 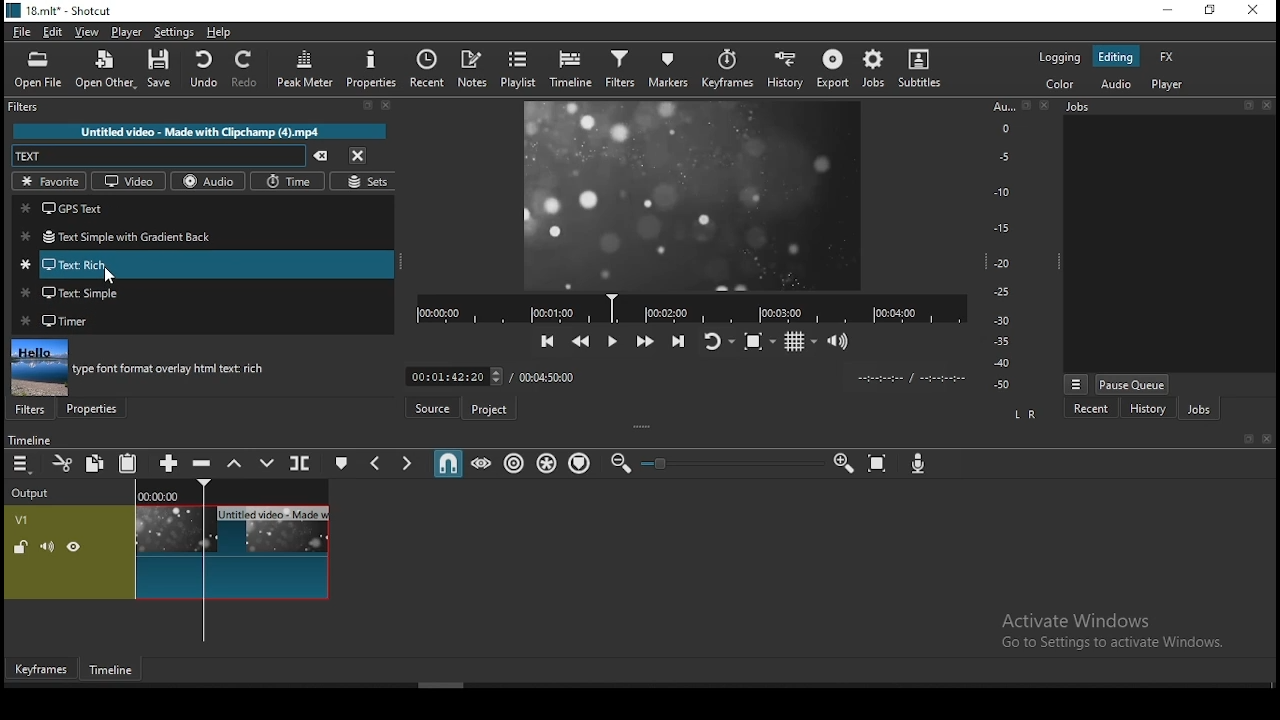 What do you see at coordinates (784, 73) in the screenshot?
I see `history` at bounding box center [784, 73].